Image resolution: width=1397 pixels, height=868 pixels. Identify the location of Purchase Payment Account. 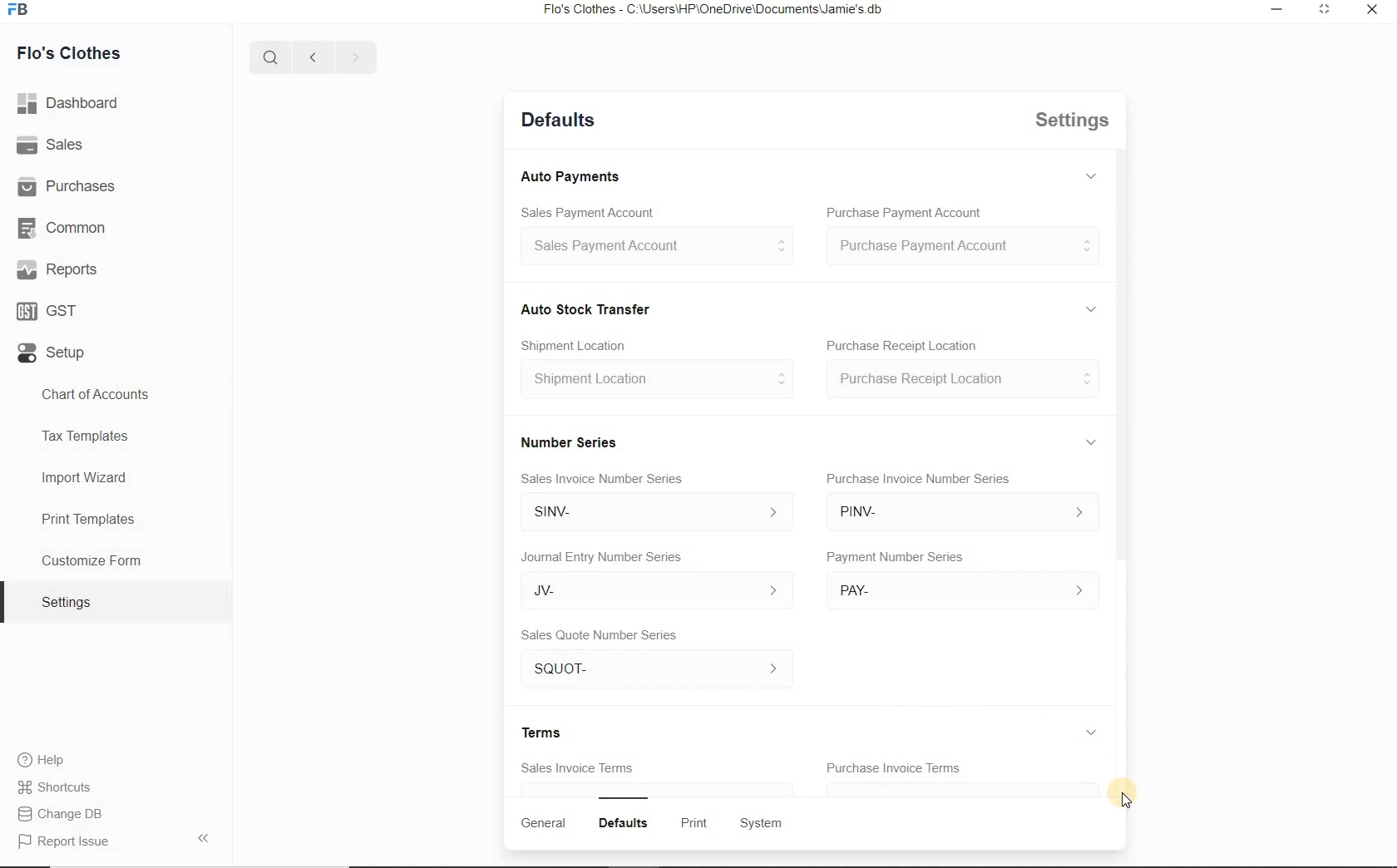
(903, 211).